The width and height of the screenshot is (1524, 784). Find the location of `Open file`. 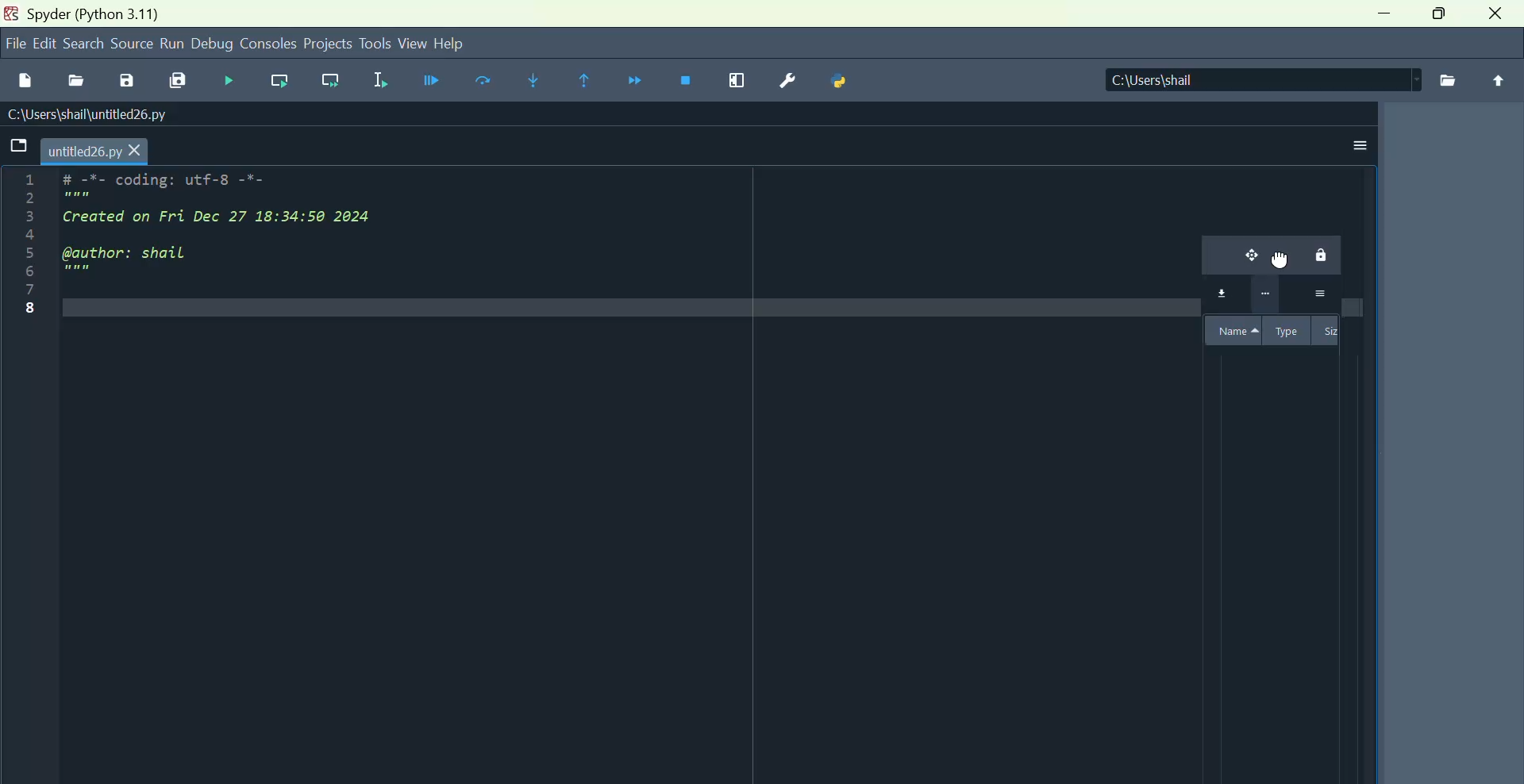

Open file is located at coordinates (74, 78).